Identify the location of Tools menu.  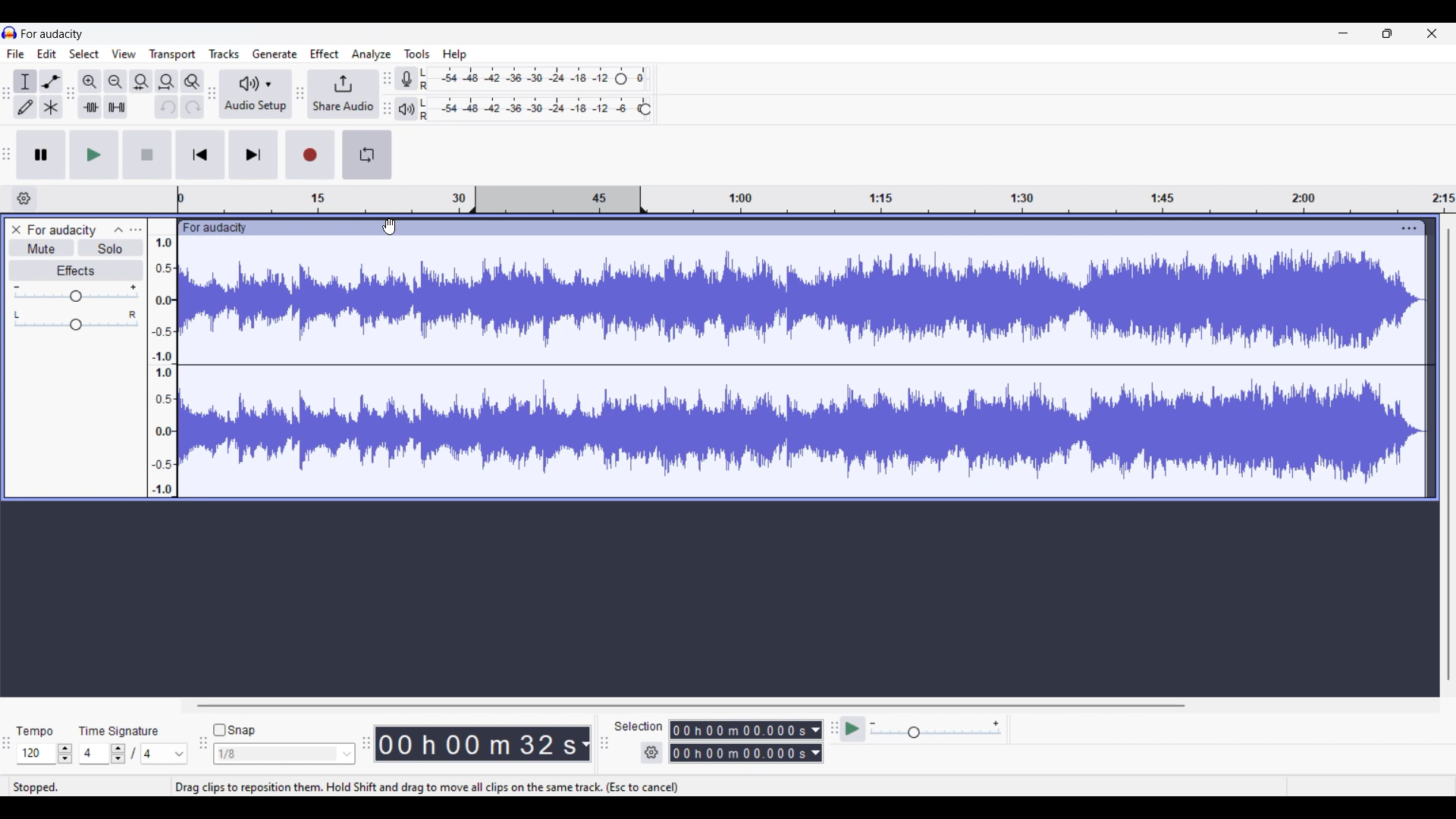
(418, 54).